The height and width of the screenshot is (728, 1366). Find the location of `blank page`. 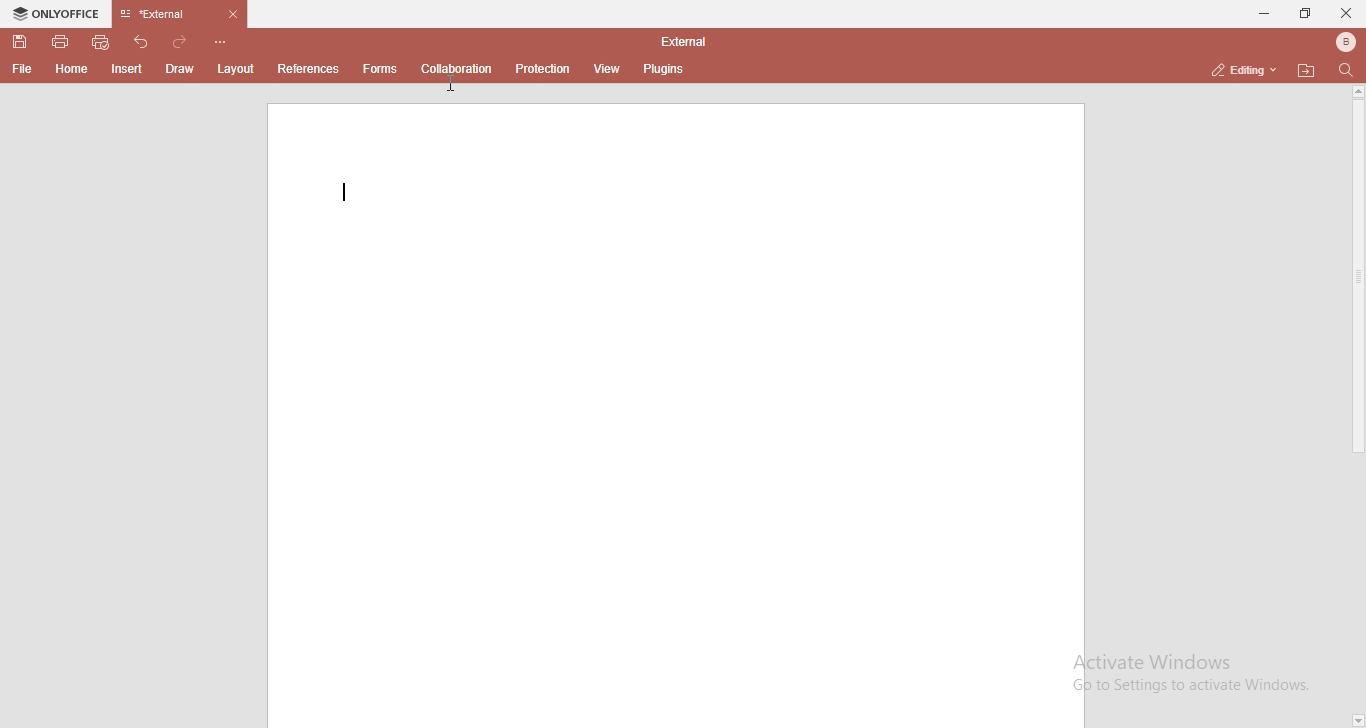

blank page is located at coordinates (674, 413).